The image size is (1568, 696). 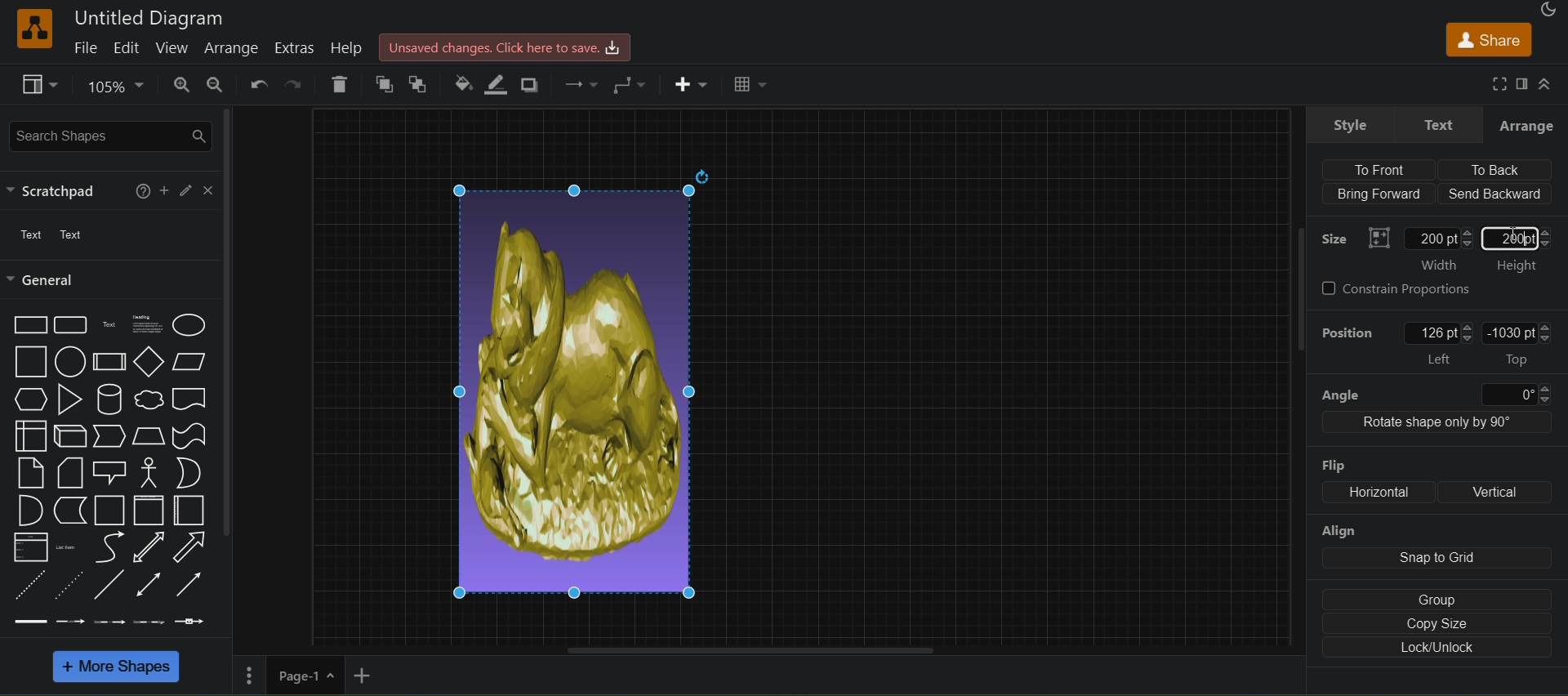 I want to click on line color, so click(x=498, y=86).